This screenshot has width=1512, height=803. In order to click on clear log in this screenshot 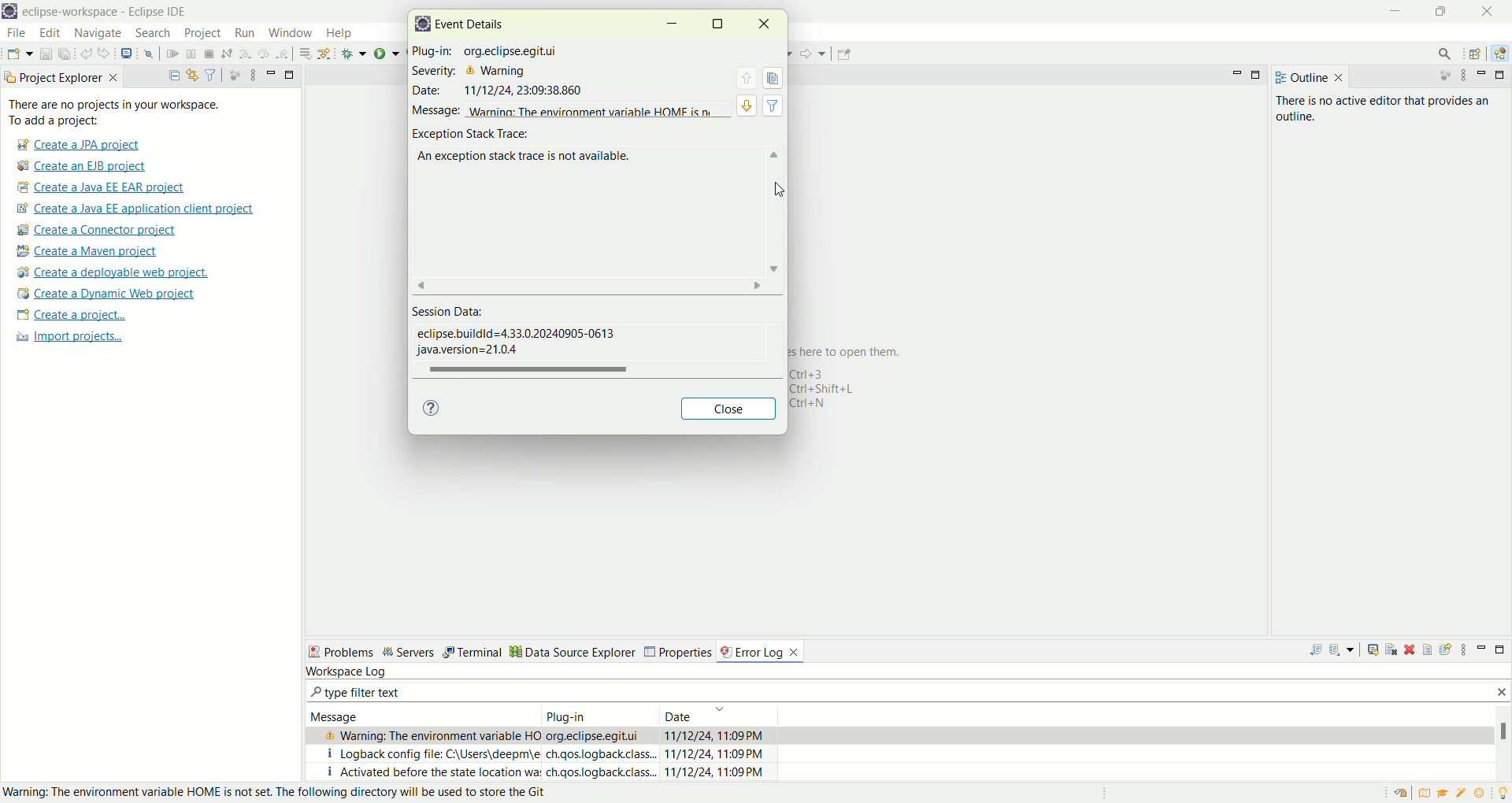, I will do `click(1392, 653)`.